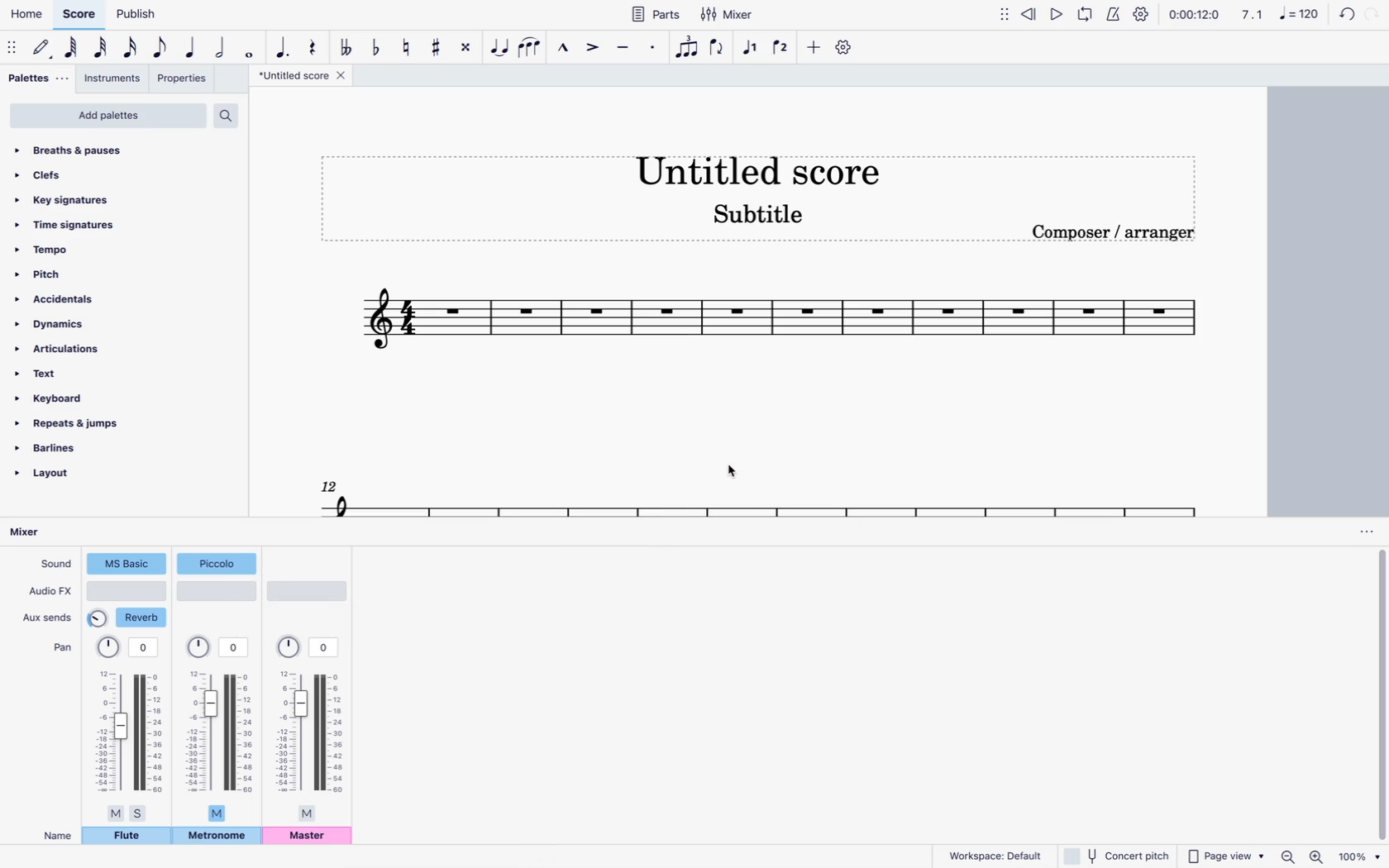 This screenshot has height=868, width=1389. I want to click on instruments, so click(114, 80).